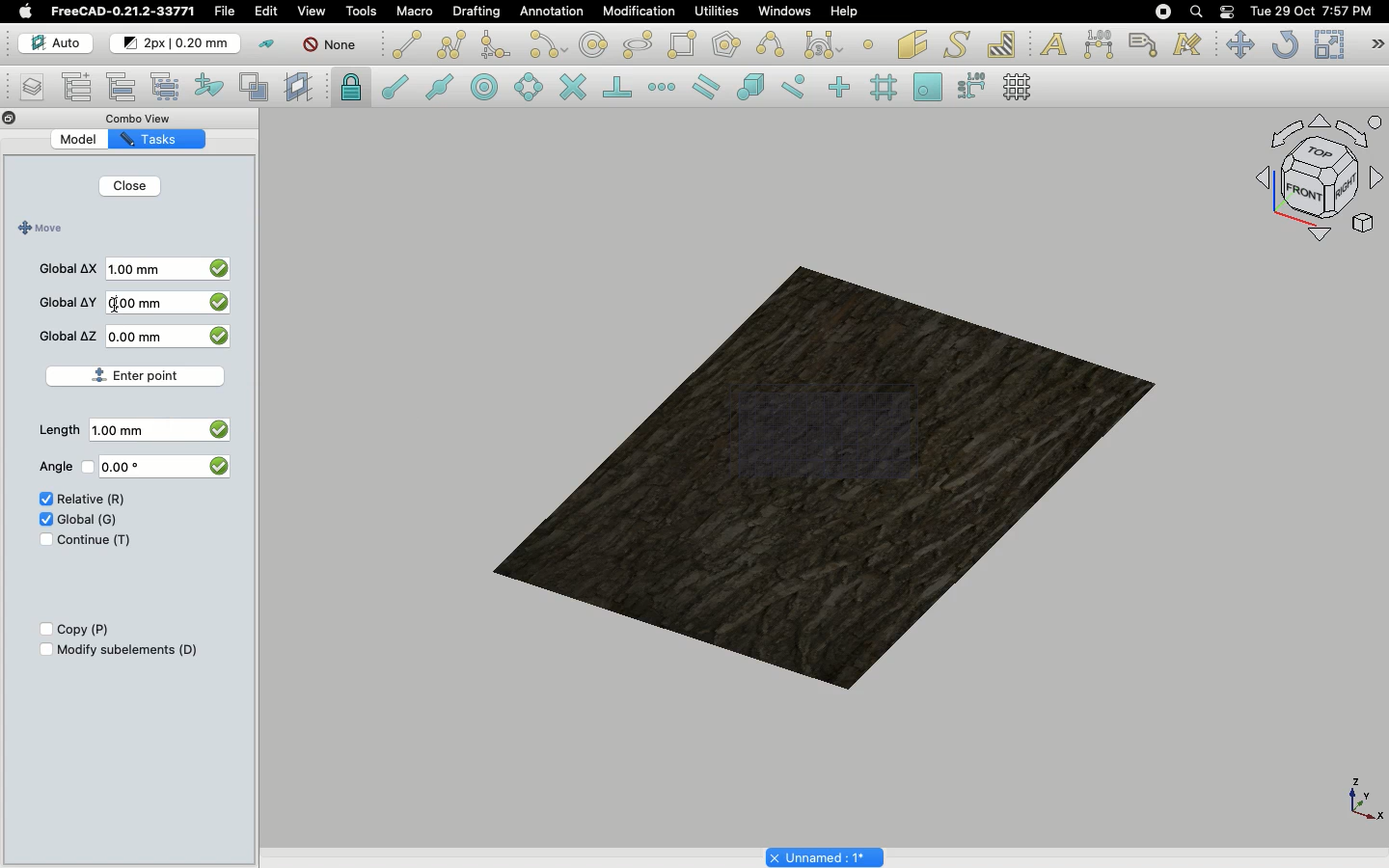  I want to click on Global, so click(89, 518).